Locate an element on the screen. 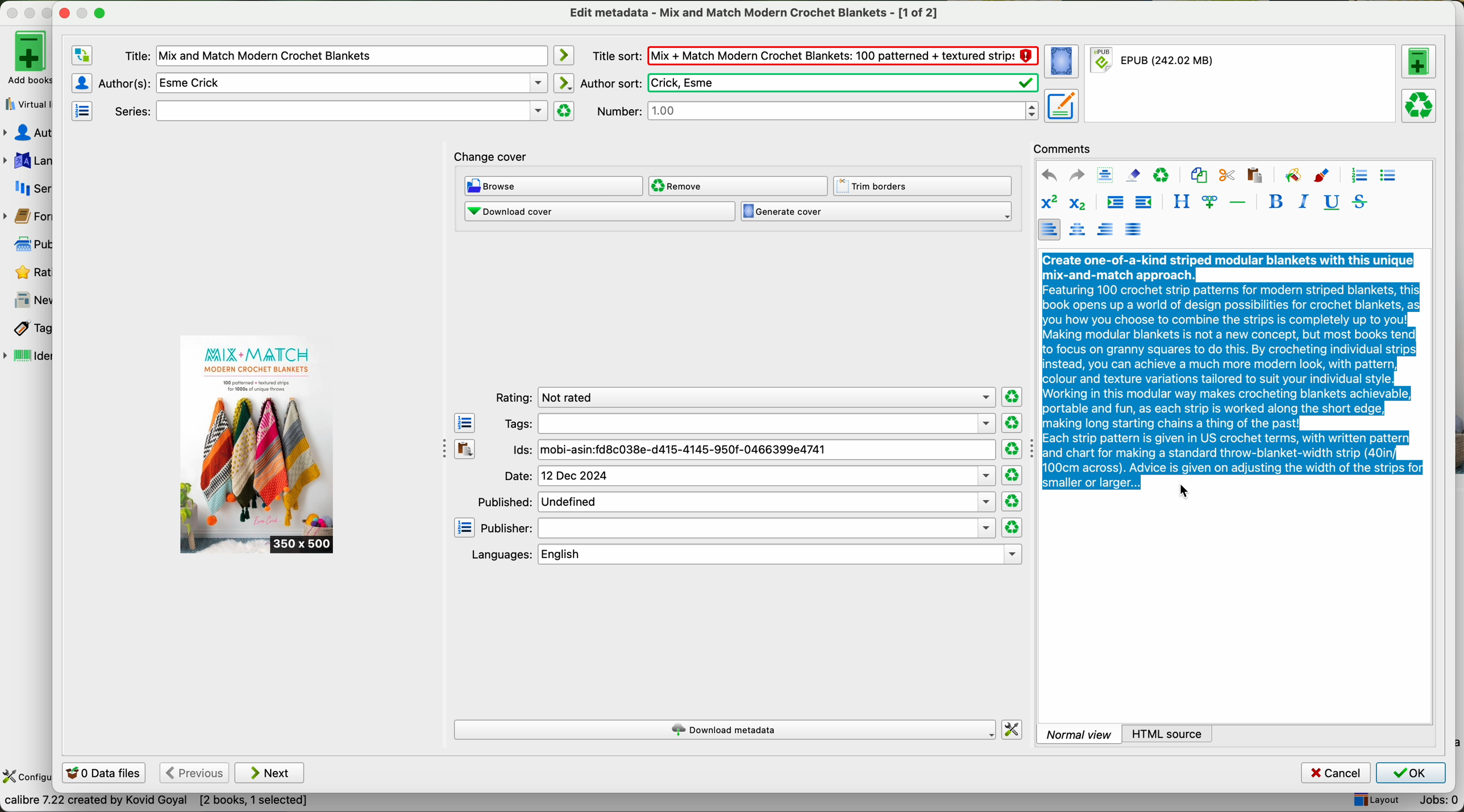  change cover is located at coordinates (491, 158).